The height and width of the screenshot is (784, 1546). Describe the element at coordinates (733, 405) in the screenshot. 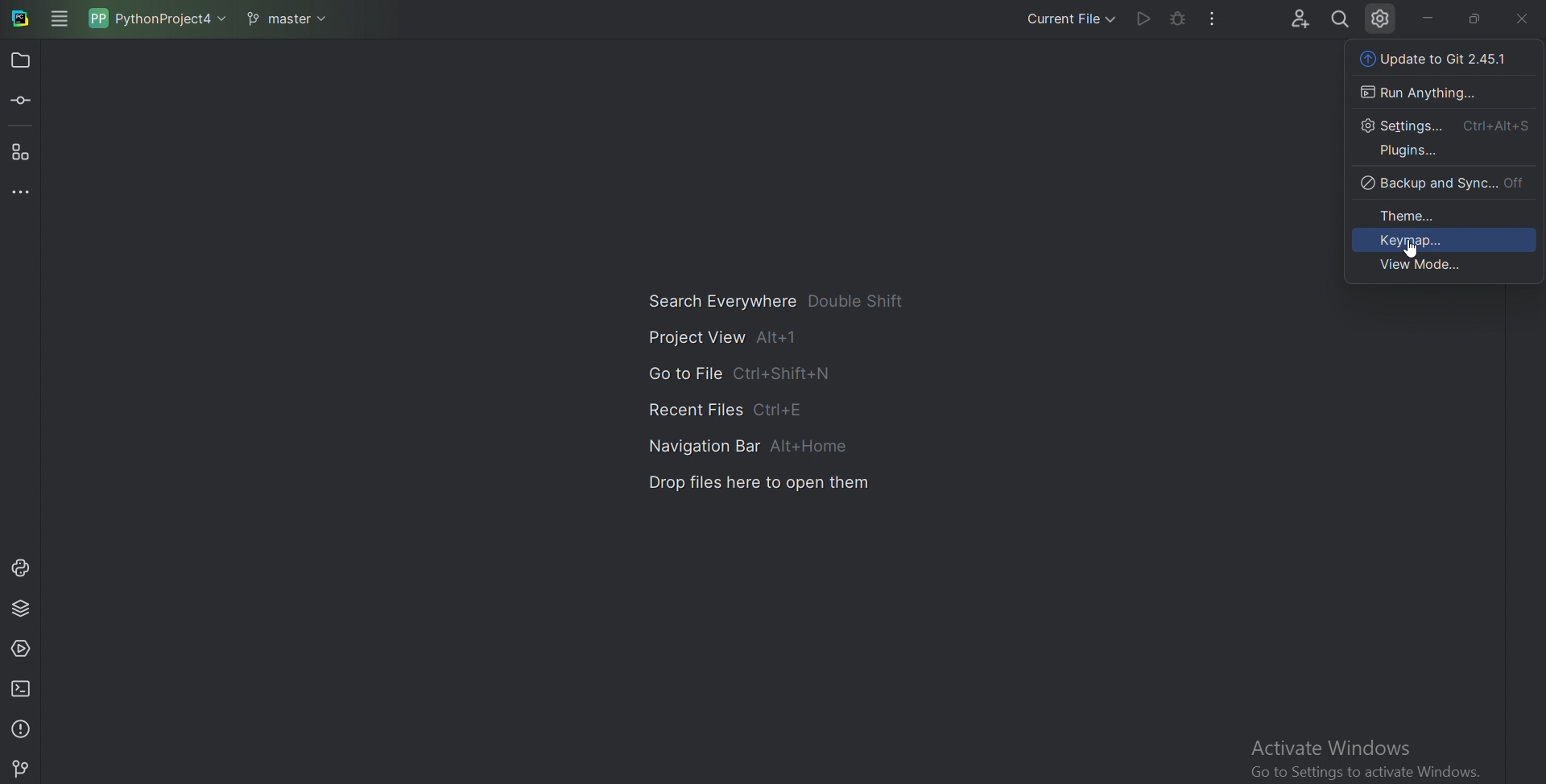

I see `Recent files Ctrl+E` at that location.